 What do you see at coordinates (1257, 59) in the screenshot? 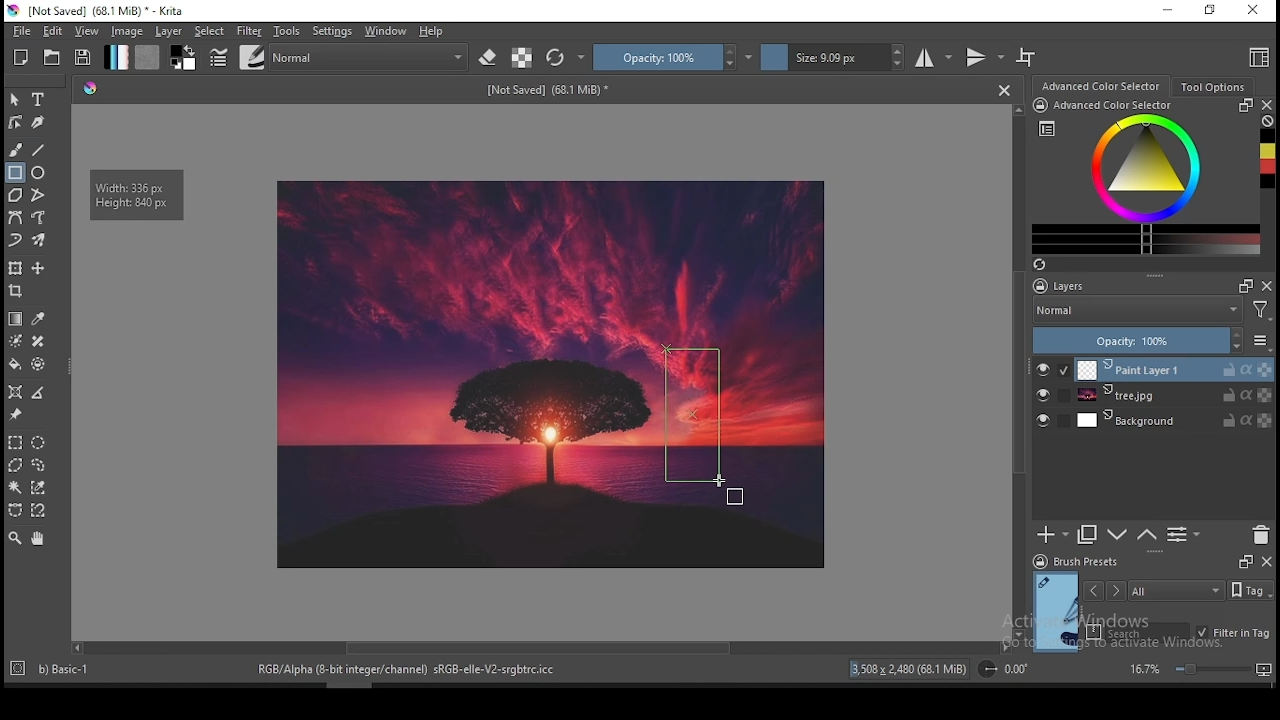
I see `choose workspace` at bounding box center [1257, 59].